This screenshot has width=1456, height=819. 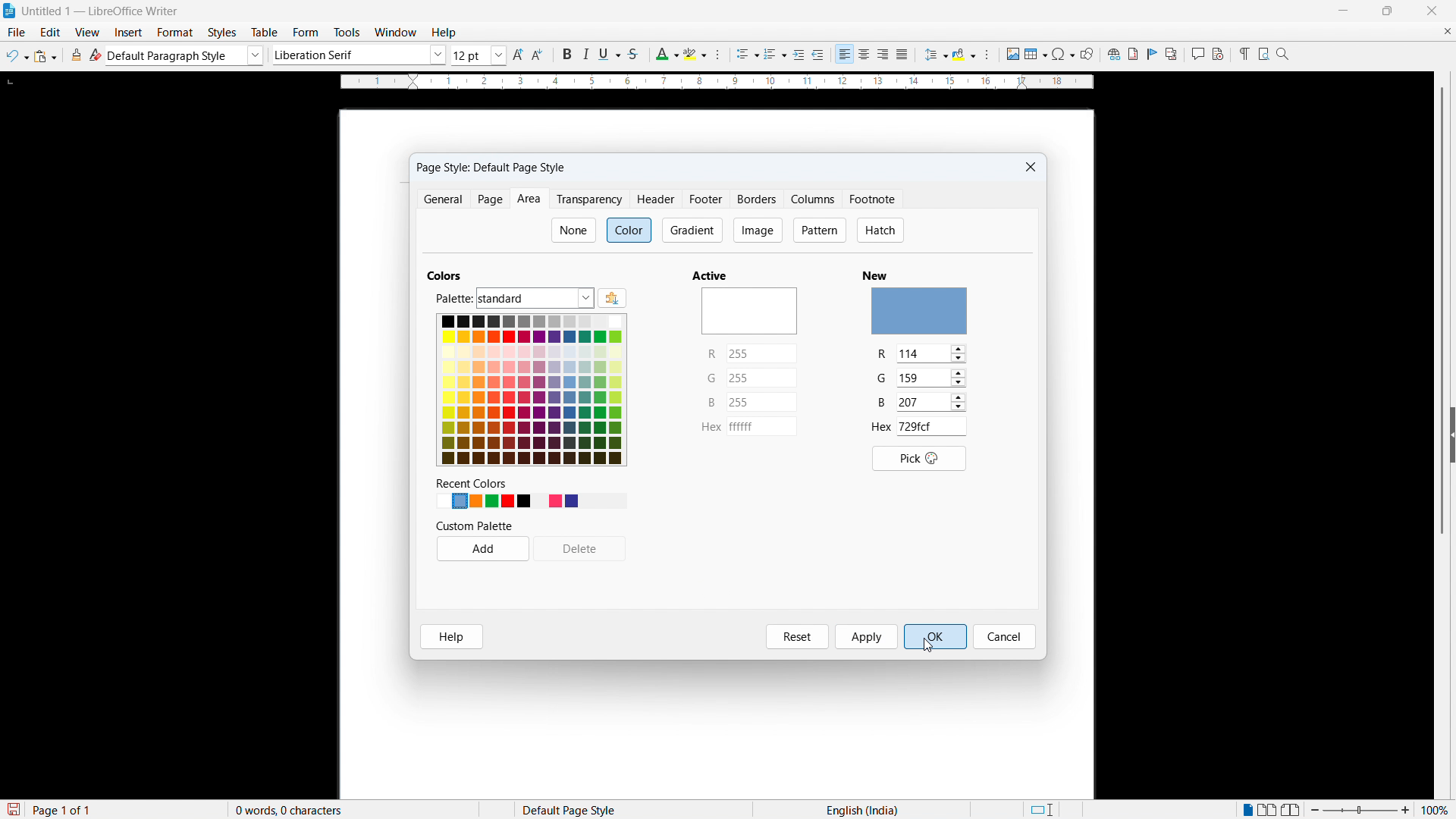 I want to click on align right , so click(x=883, y=55).